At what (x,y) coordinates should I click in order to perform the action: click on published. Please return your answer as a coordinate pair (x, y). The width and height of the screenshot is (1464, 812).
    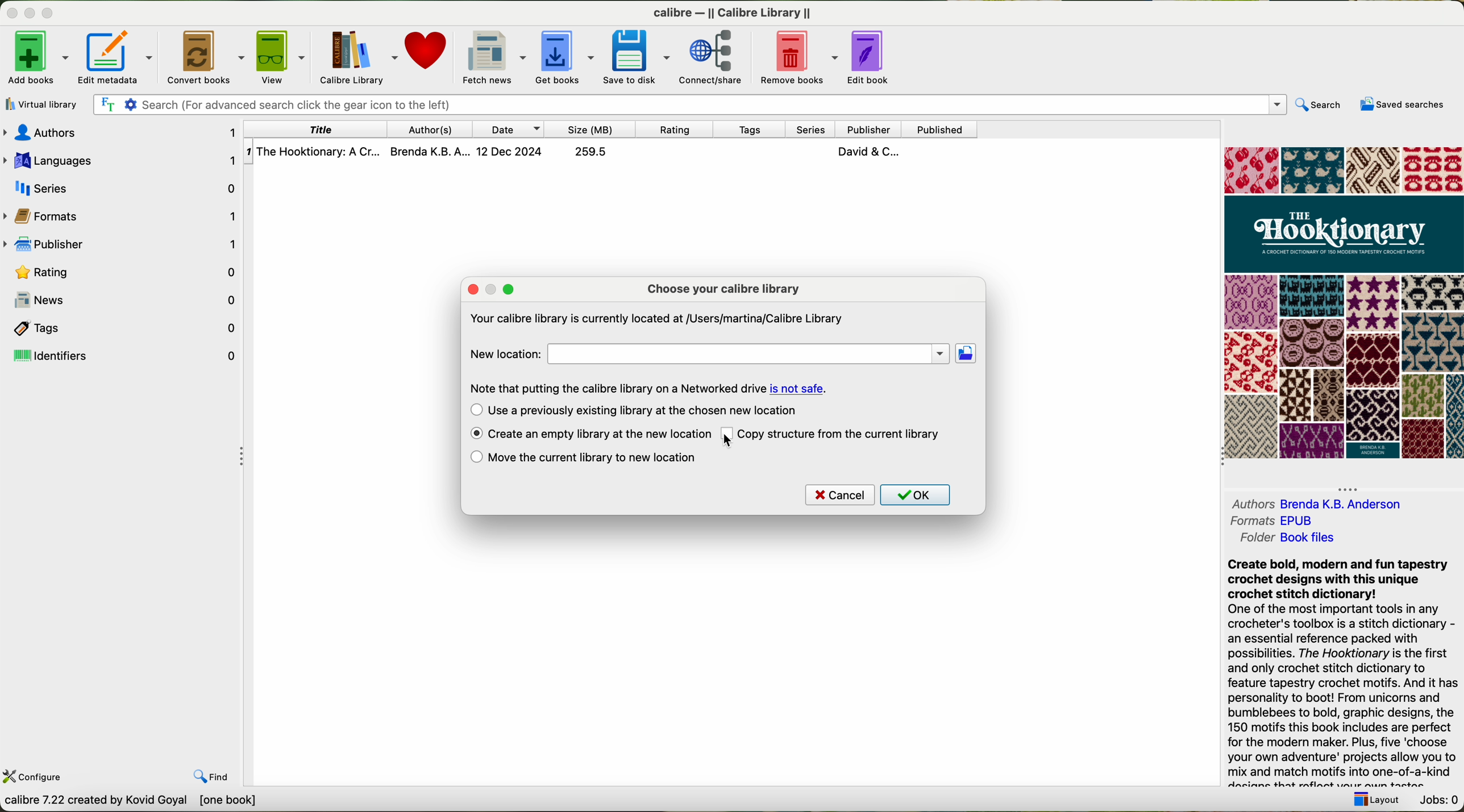
    Looking at the image, I should click on (942, 129).